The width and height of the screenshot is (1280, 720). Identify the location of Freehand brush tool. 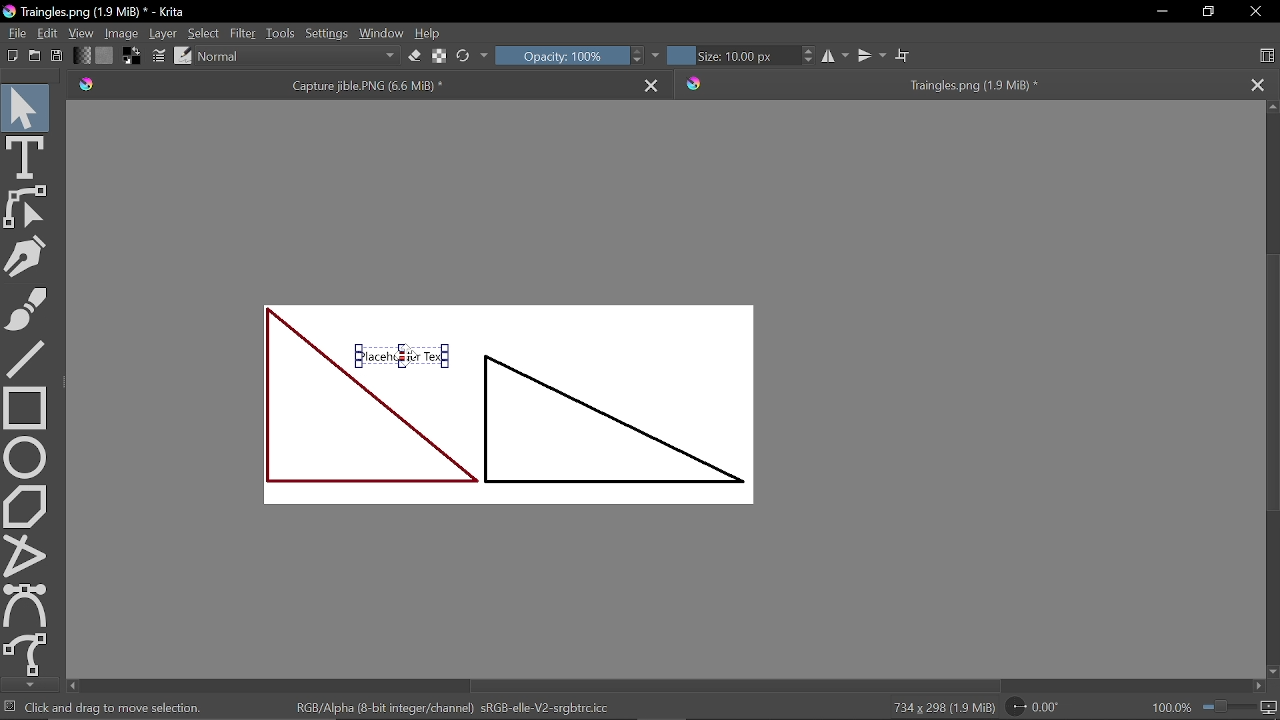
(28, 311).